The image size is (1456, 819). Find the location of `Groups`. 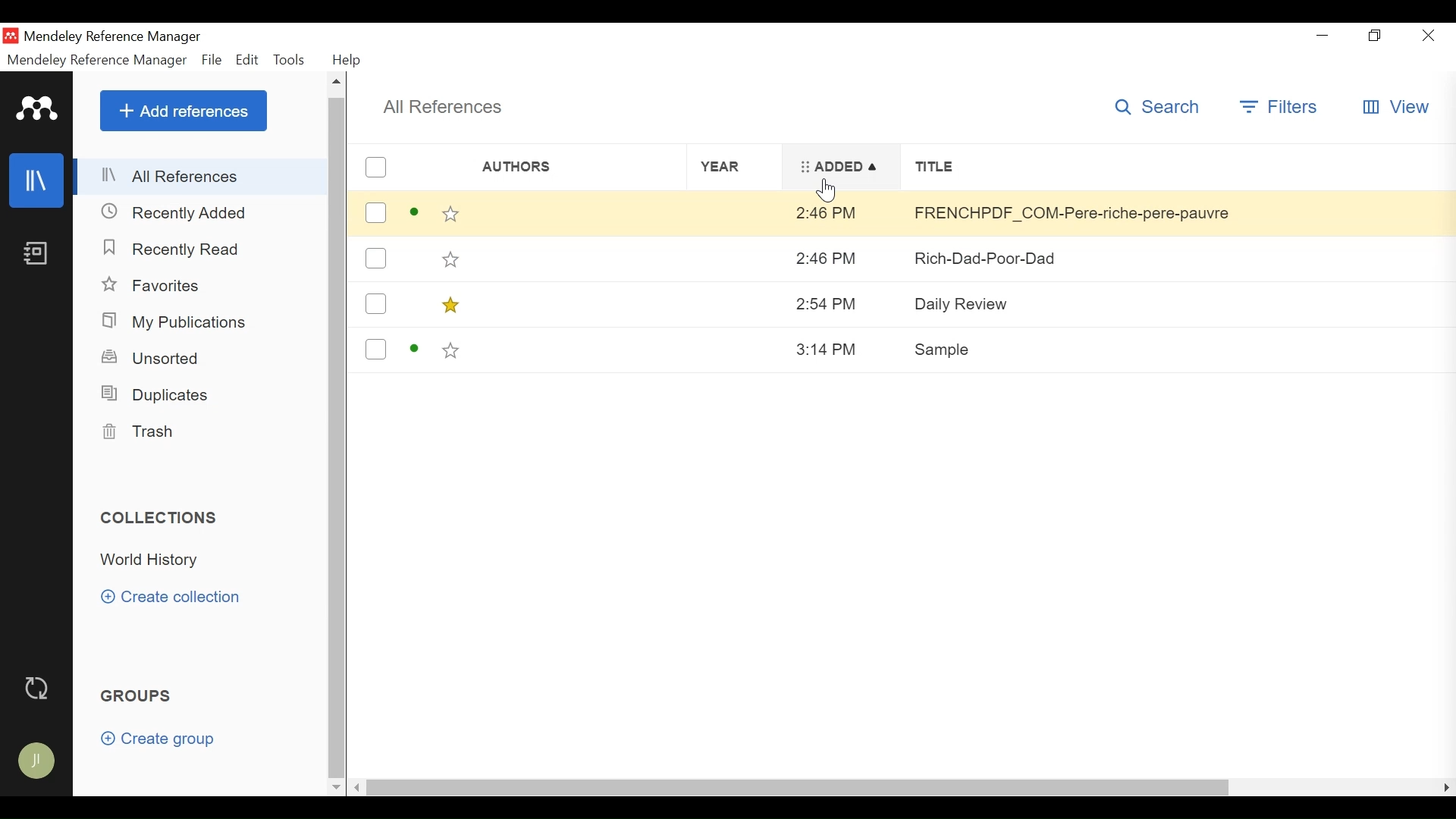

Groups is located at coordinates (138, 698).